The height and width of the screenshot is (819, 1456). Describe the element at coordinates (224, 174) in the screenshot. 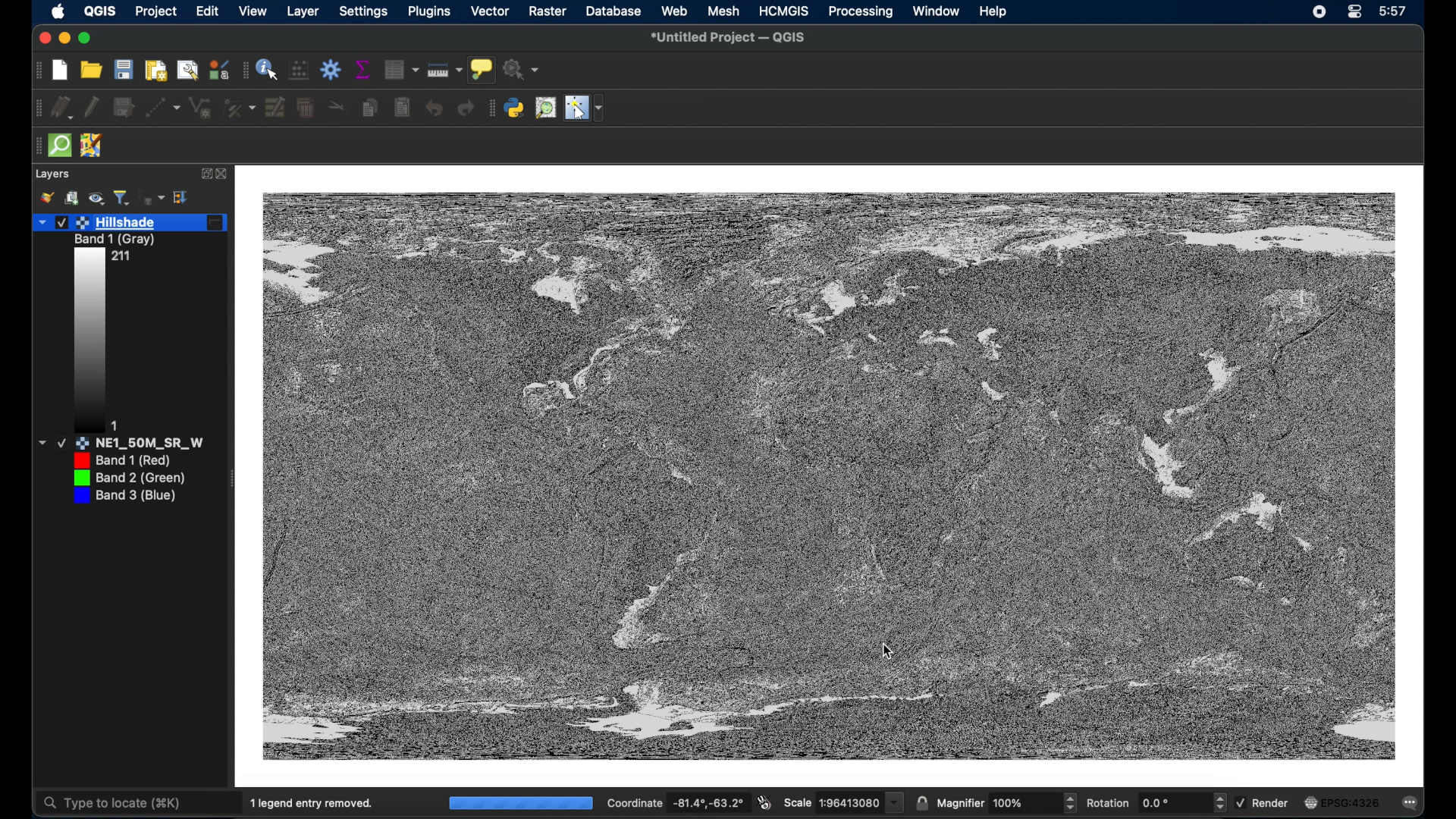

I see `close` at that location.